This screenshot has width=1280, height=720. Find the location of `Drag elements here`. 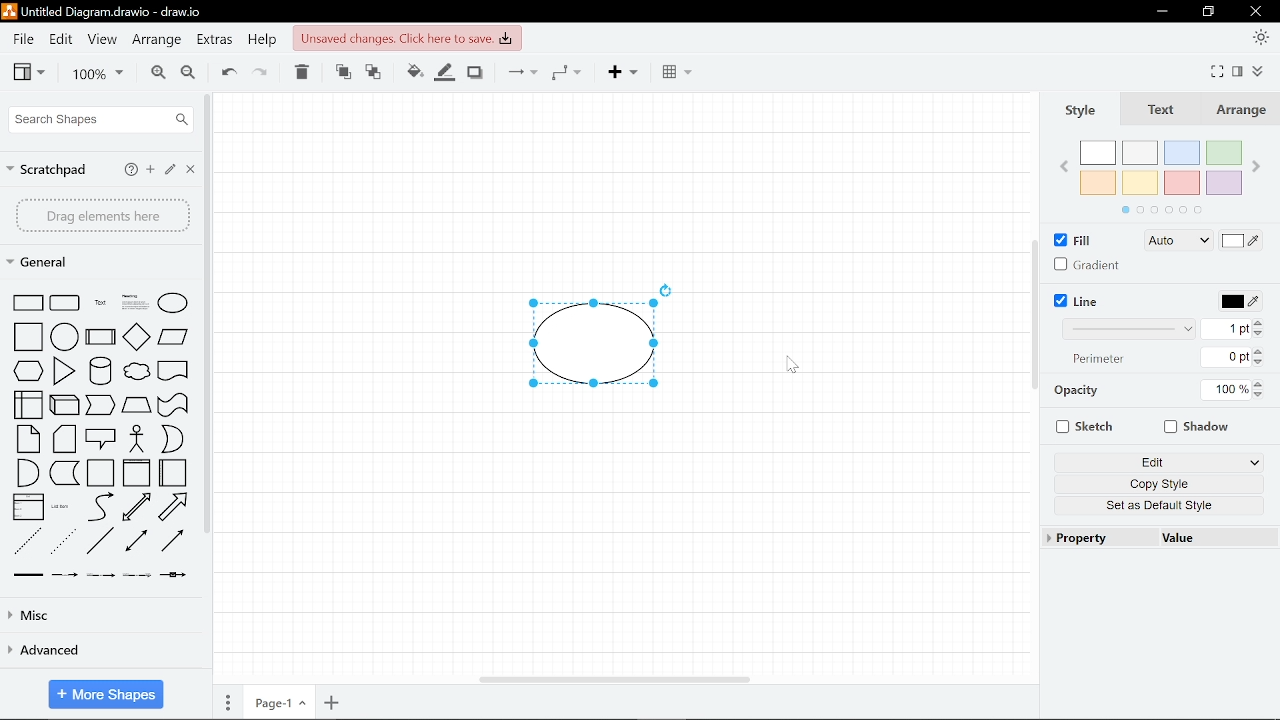

Drag elements here is located at coordinates (103, 215).